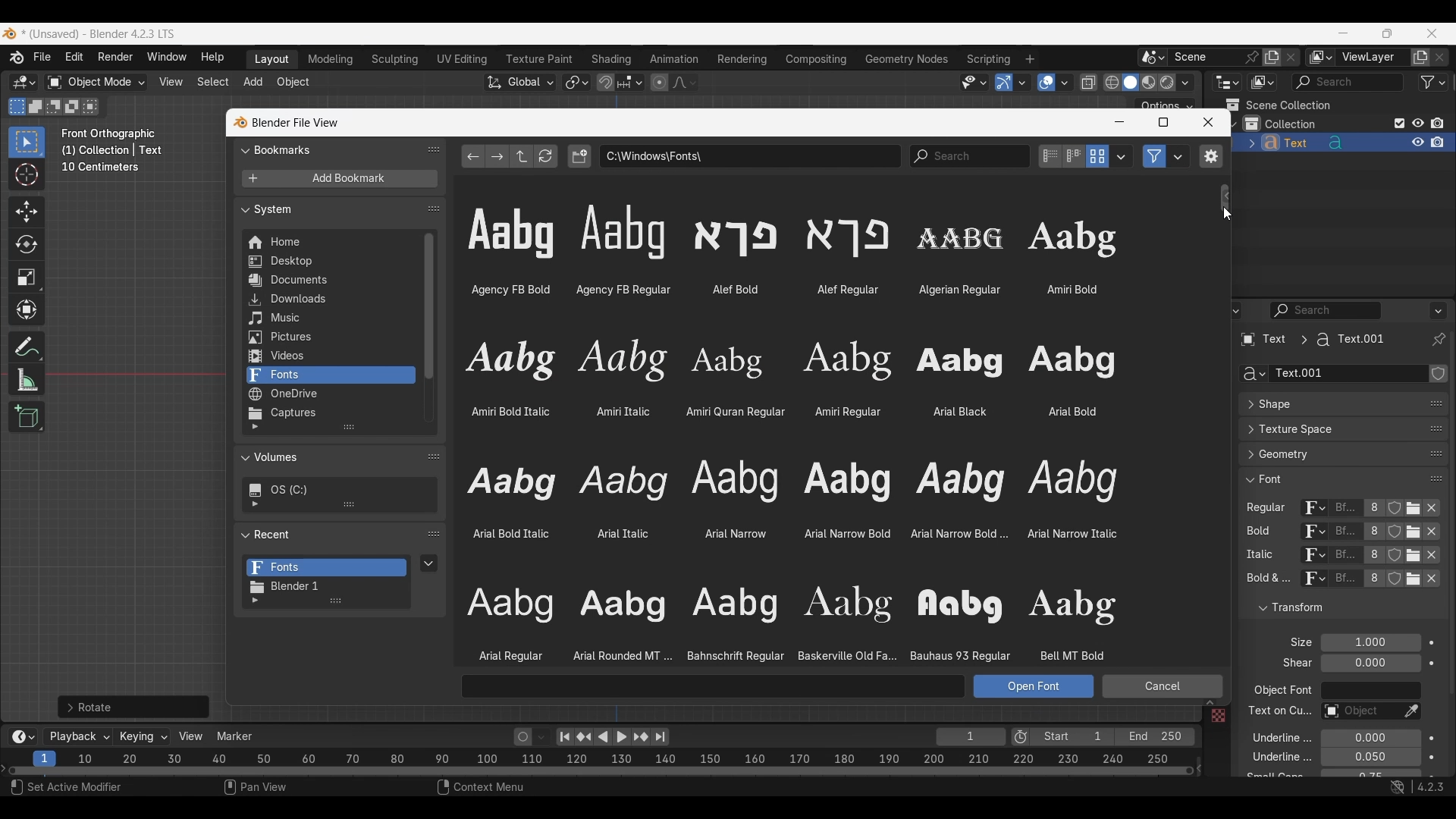  I want to click on Viewport shading, wireframe, so click(1112, 83).